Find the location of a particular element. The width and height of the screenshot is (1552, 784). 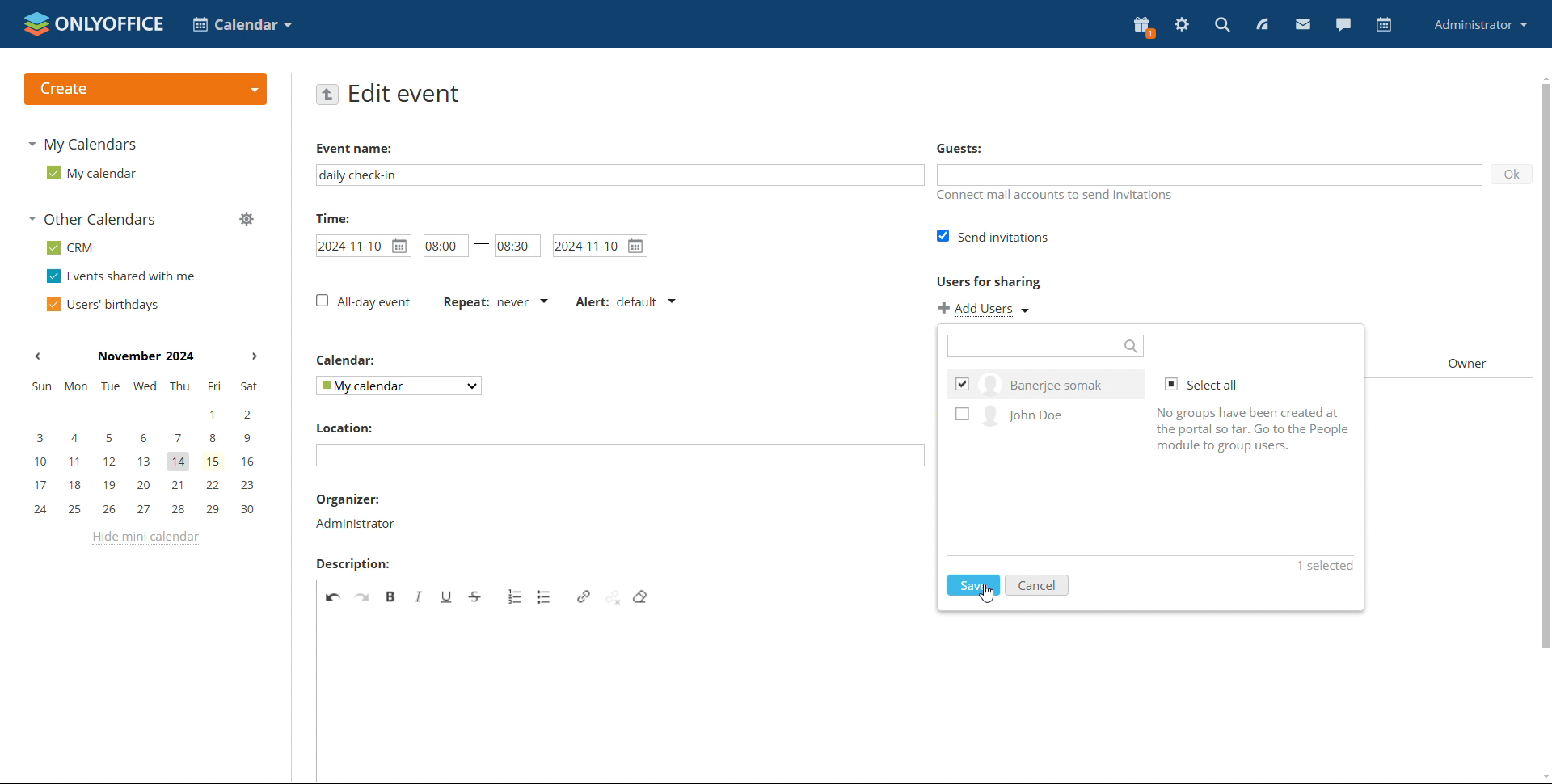

description is located at coordinates (352, 564).